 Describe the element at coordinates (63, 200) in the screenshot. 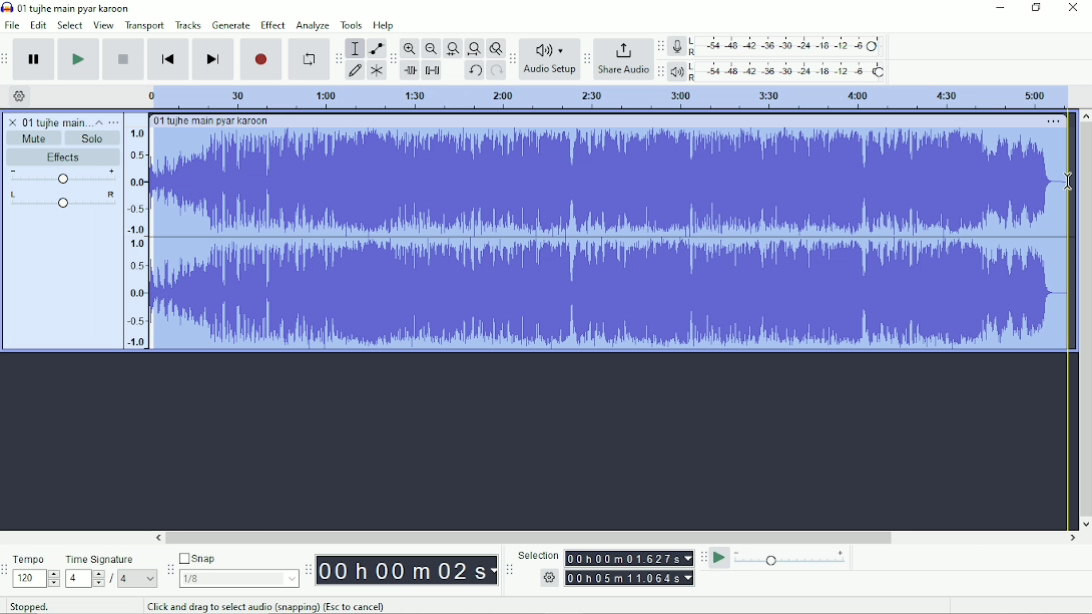

I see `Pan` at that location.